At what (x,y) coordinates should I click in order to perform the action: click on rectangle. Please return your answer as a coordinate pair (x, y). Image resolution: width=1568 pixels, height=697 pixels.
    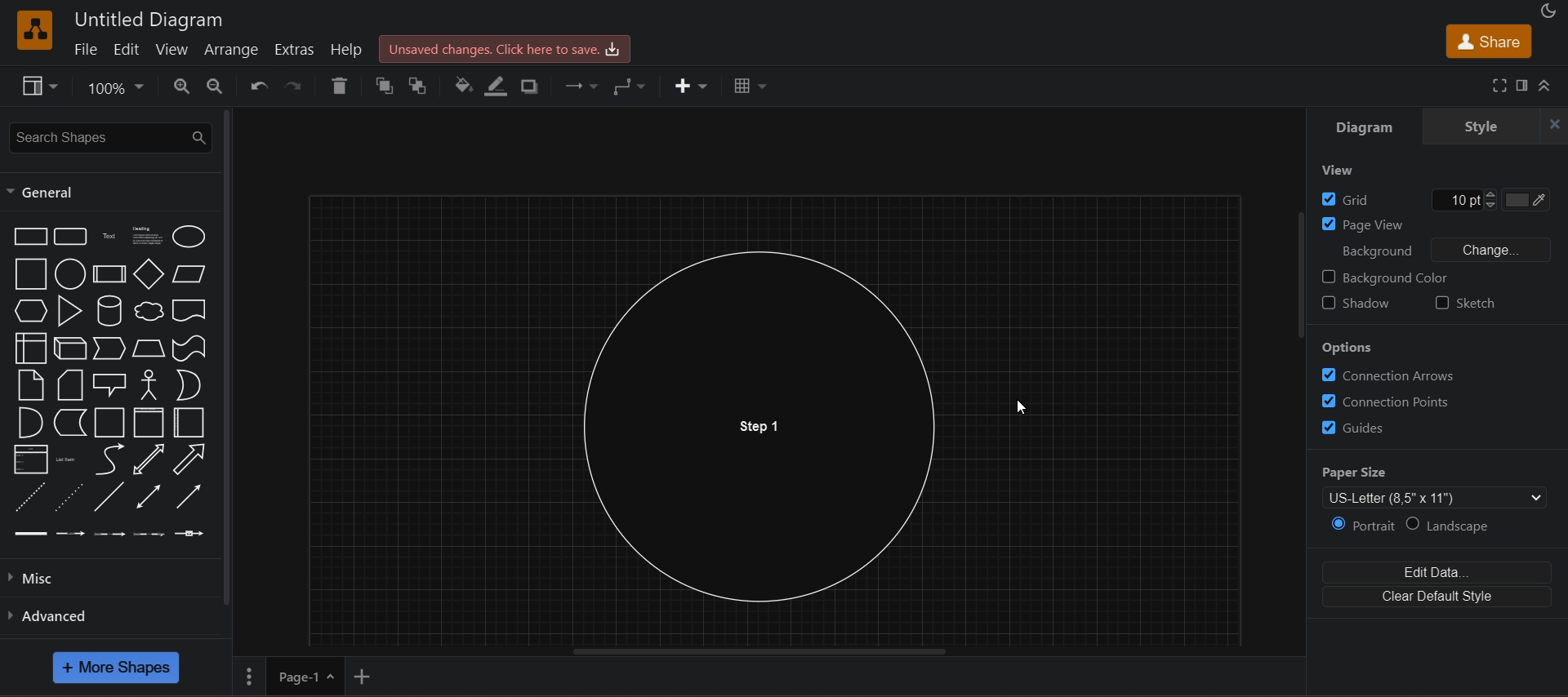
    Looking at the image, I should click on (29, 237).